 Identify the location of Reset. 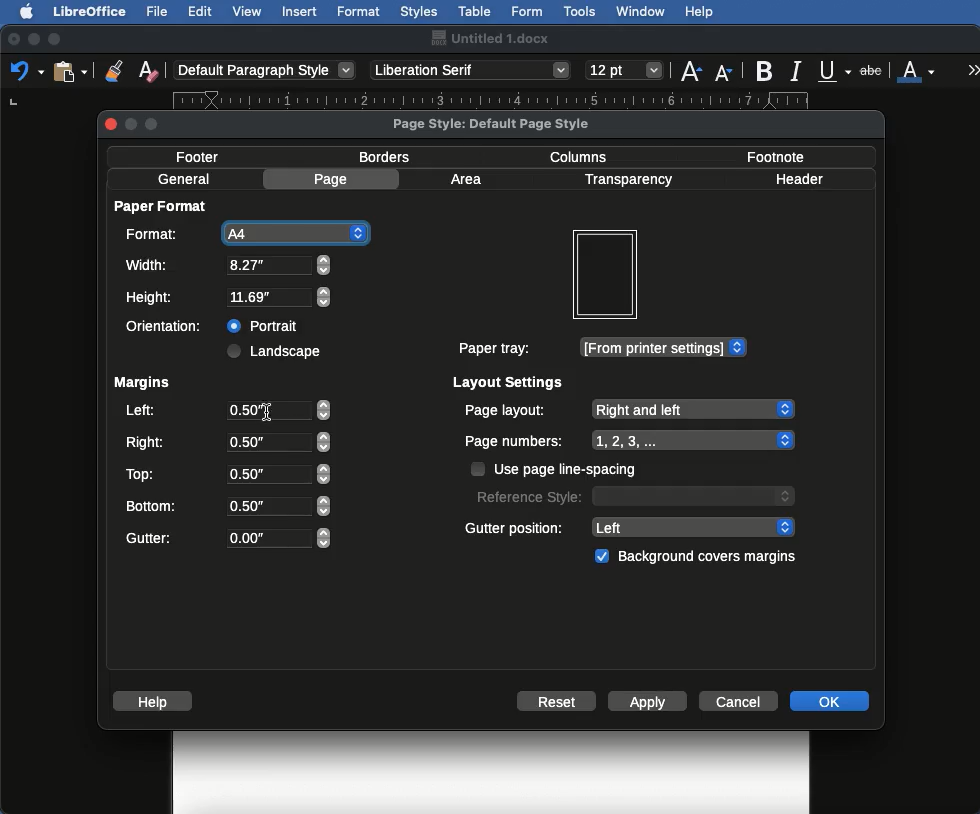
(557, 703).